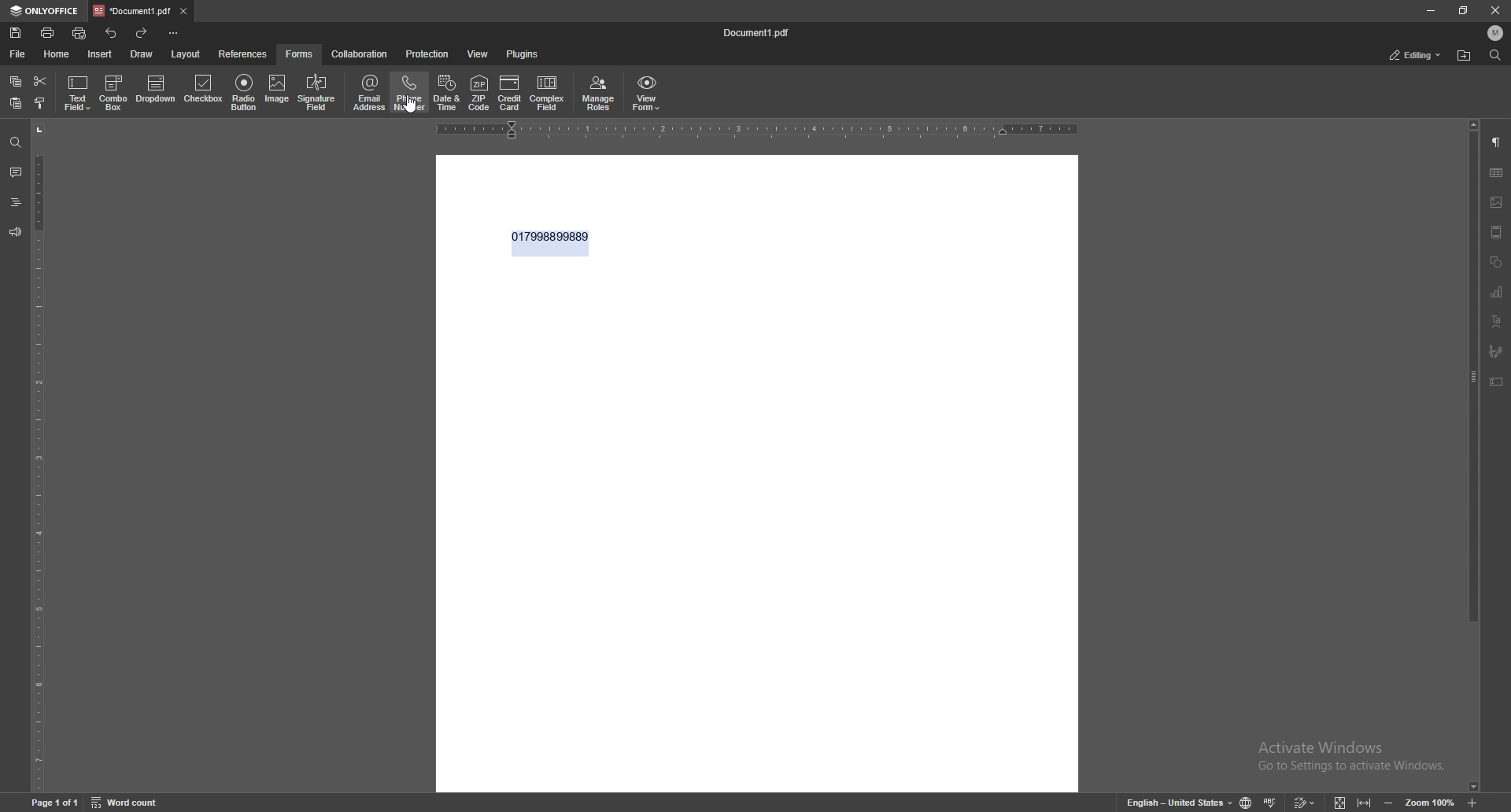 The height and width of the screenshot is (812, 1511). Describe the element at coordinates (242, 55) in the screenshot. I see `reference` at that location.